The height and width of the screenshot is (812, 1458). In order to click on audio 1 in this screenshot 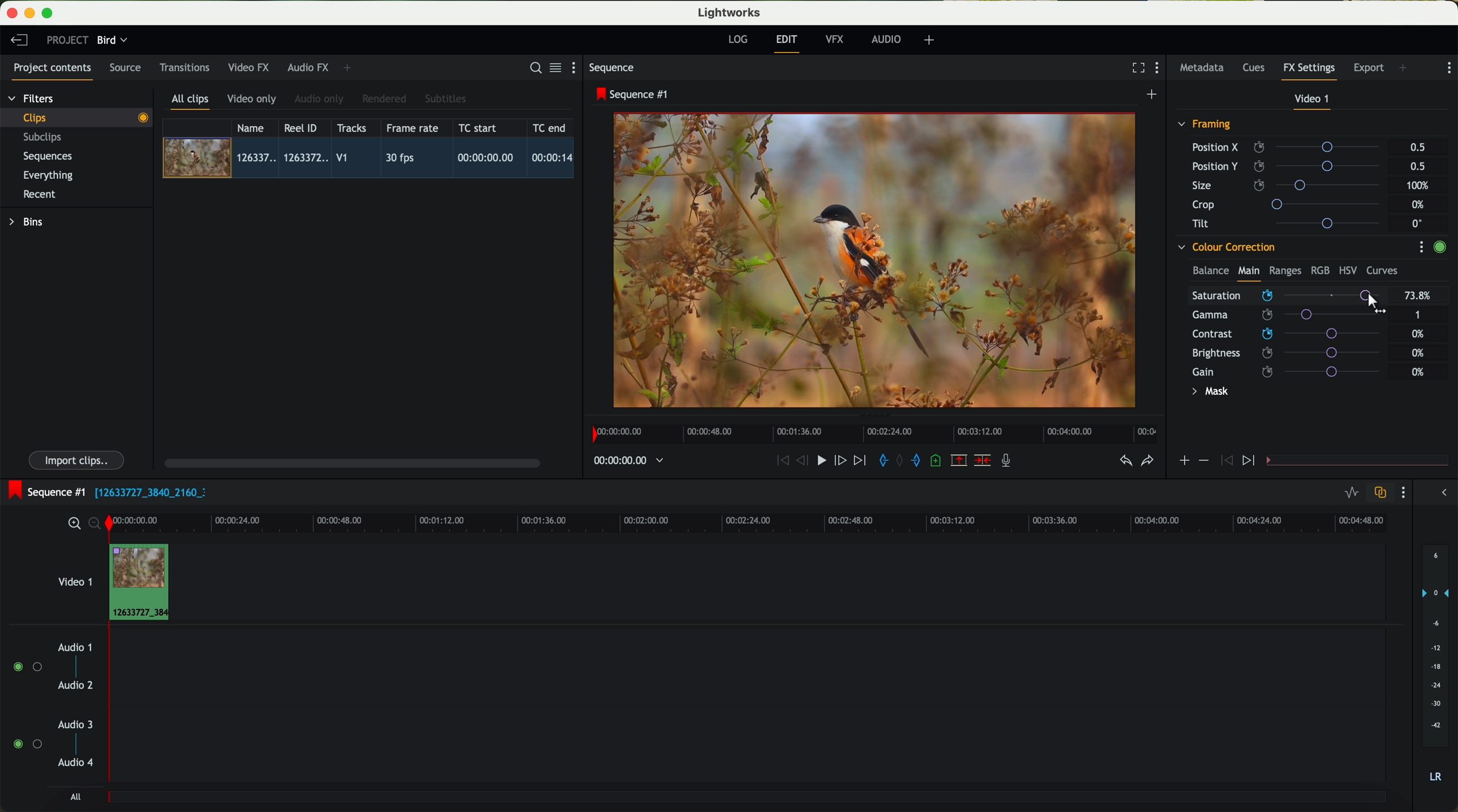, I will do `click(75, 647)`.